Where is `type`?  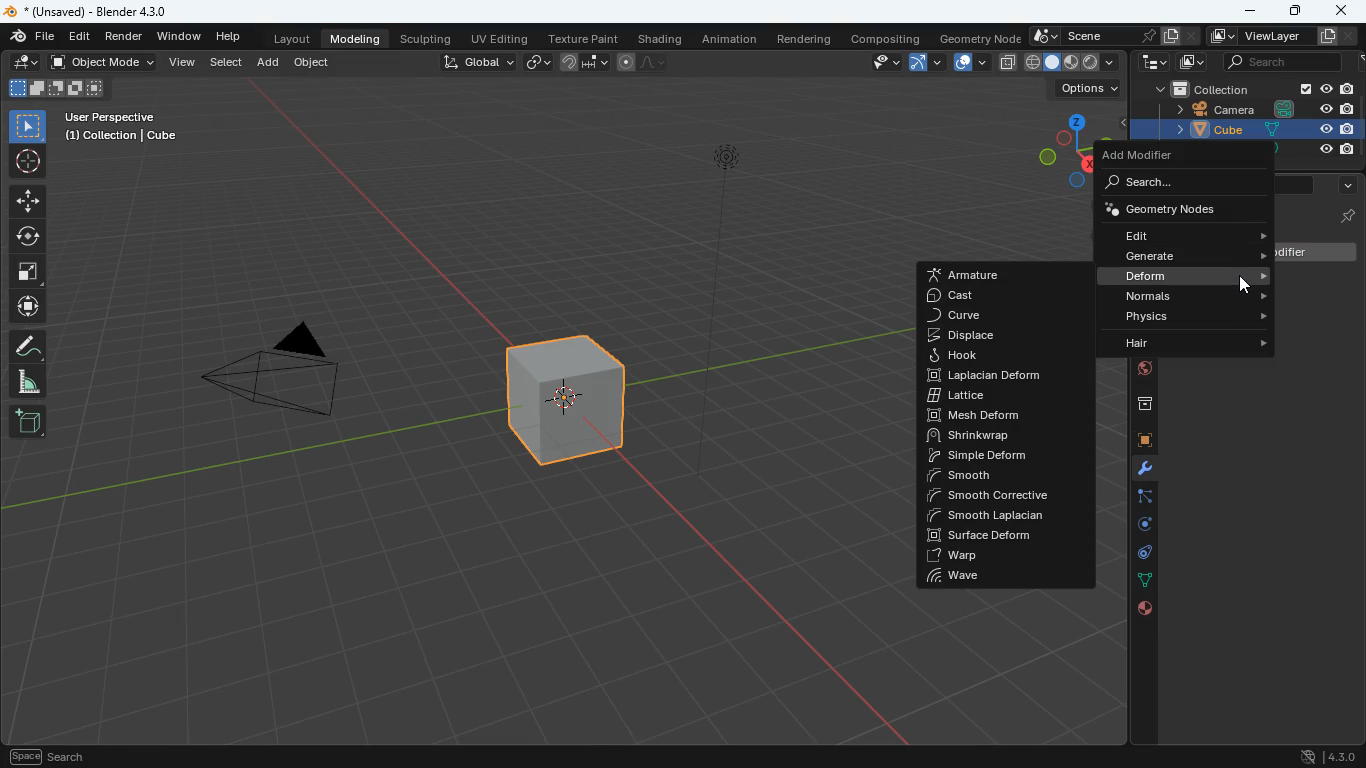 type is located at coordinates (1058, 63).